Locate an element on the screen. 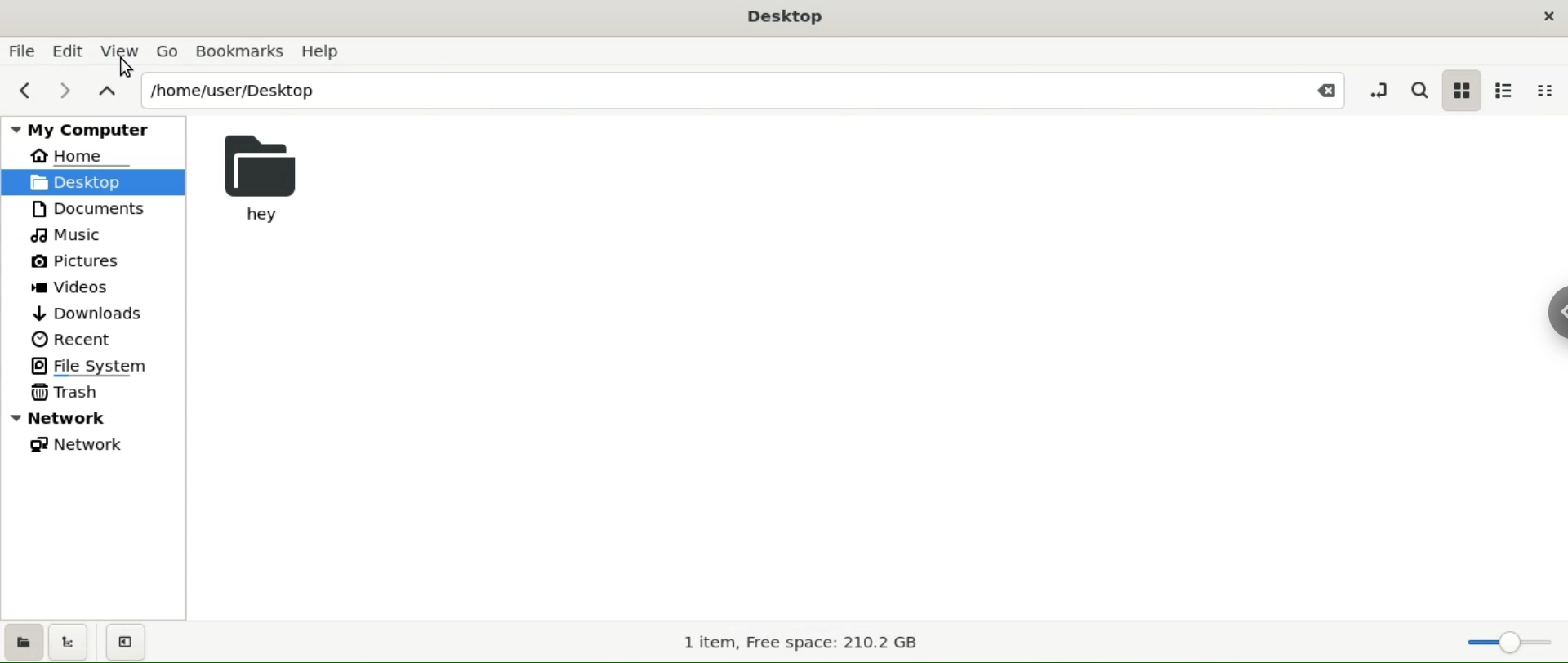 This screenshot has width=1568, height=663. file is located at coordinates (20, 51).